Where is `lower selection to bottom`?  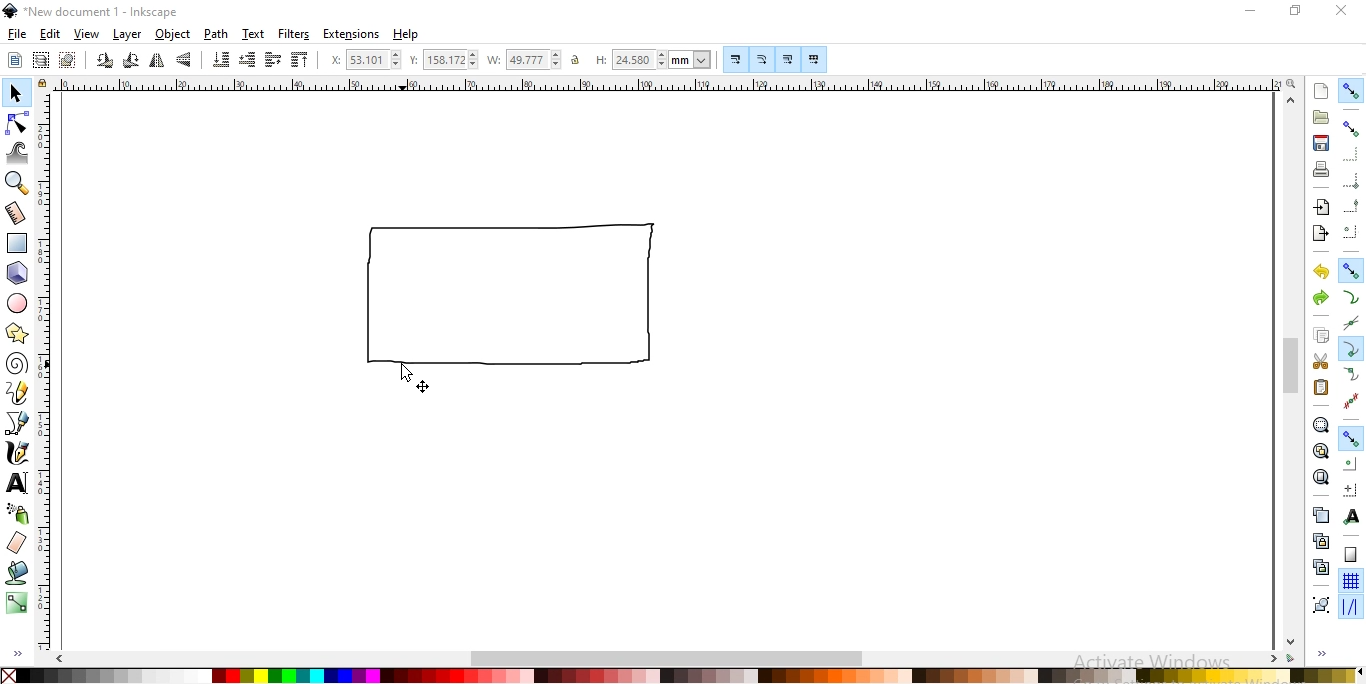 lower selection to bottom is located at coordinates (220, 60).